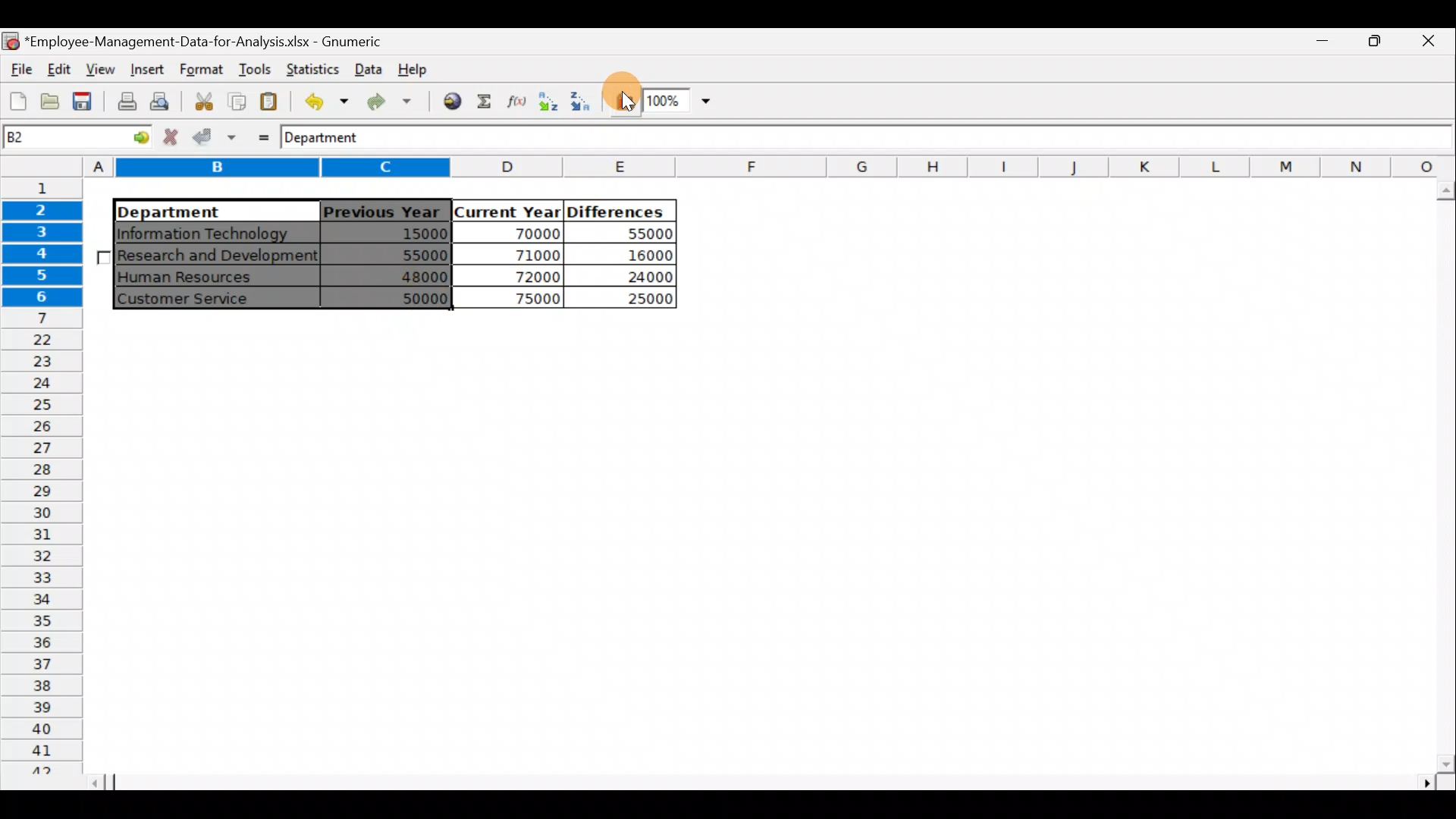  What do you see at coordinates (313, 68) in the screenshot?
I see `Statistics` at bounding box center [313, 68].